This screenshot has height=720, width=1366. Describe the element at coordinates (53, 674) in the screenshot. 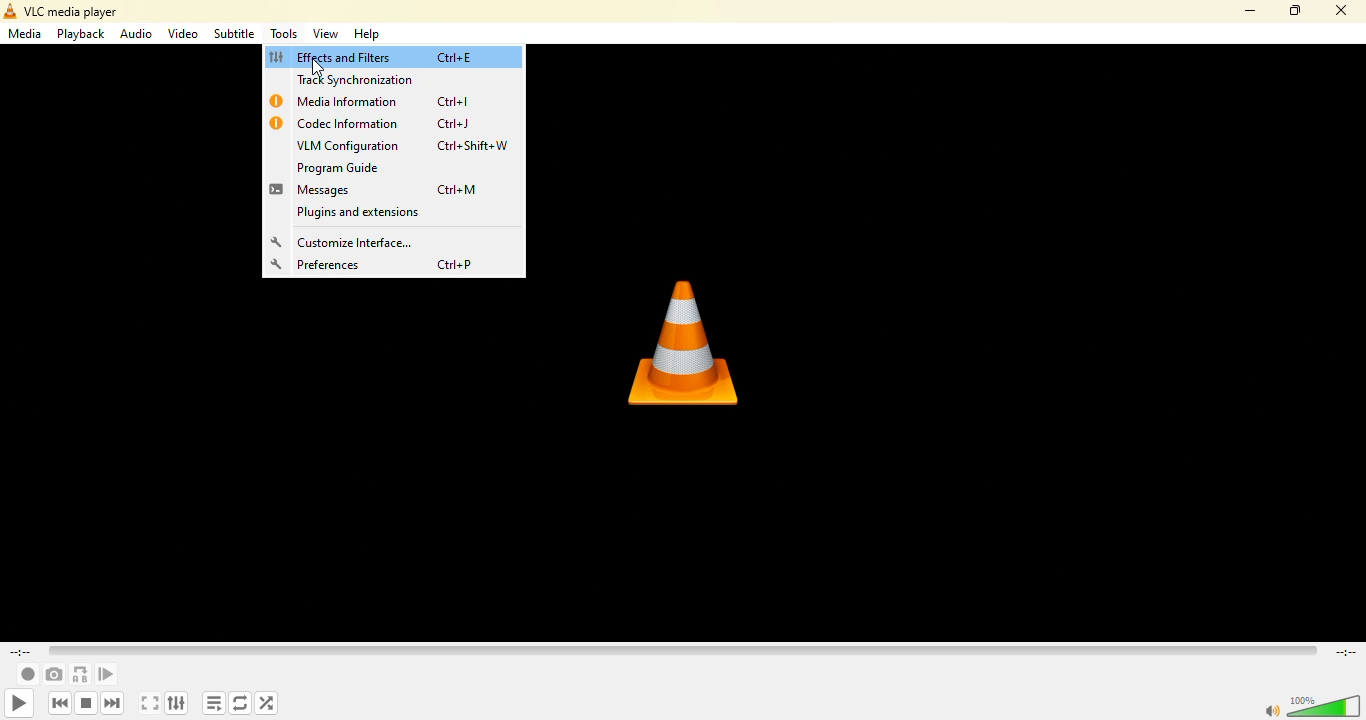

I see `take a snapshot` at that location.